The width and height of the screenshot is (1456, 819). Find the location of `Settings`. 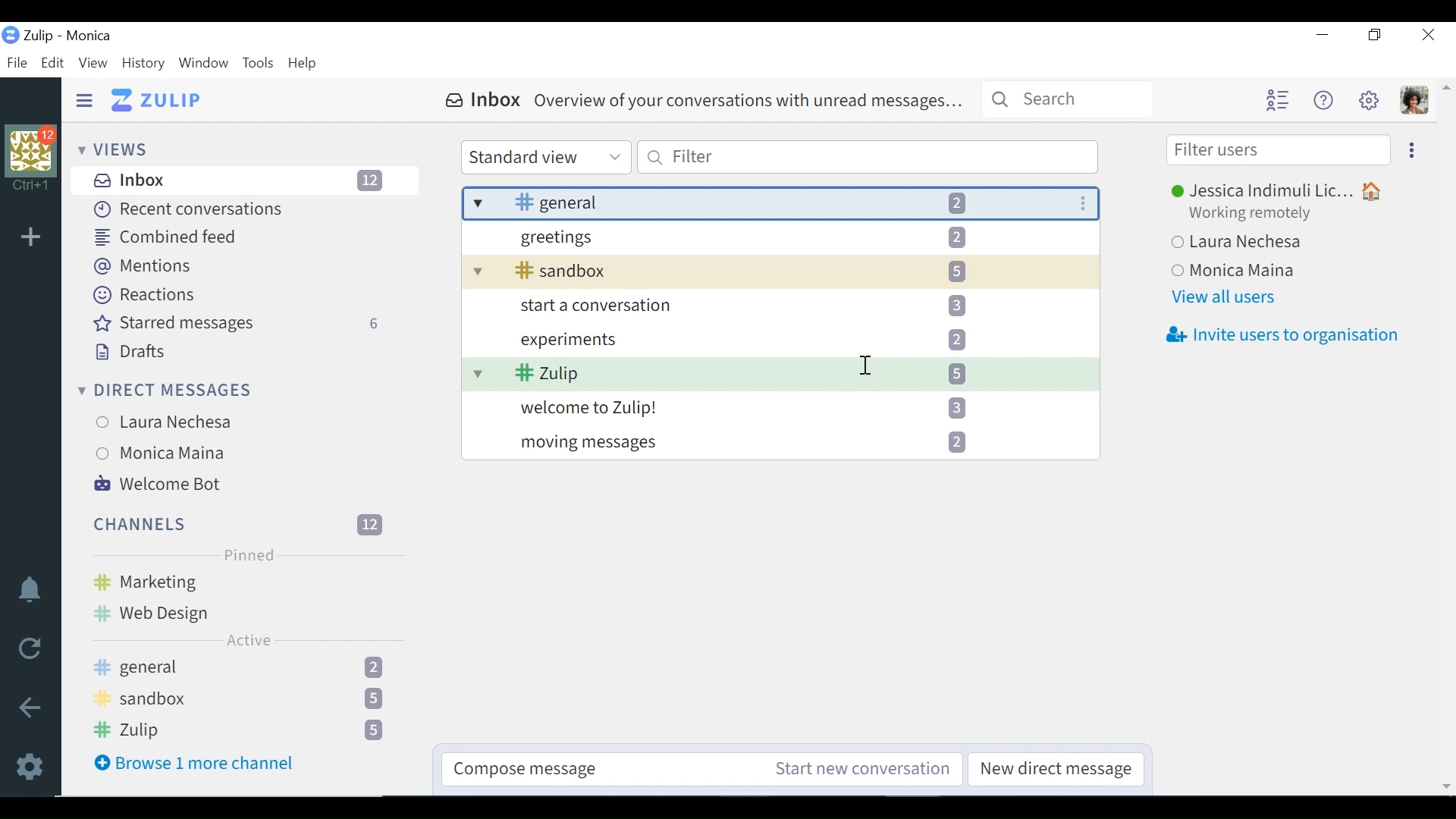

Settings is located at coordinates (28, 767).